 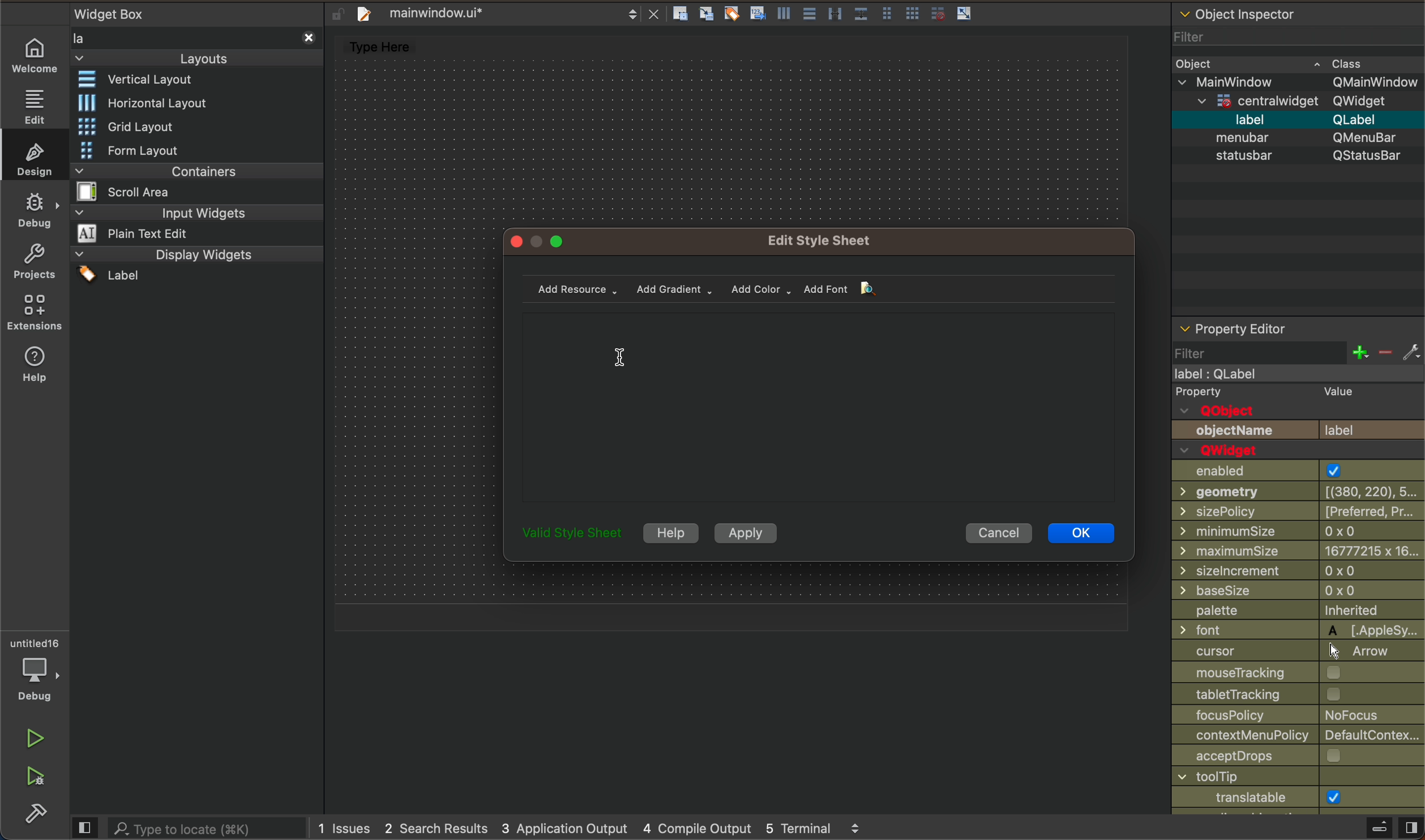 I want to click on window title, so click(x=1286, y=778).